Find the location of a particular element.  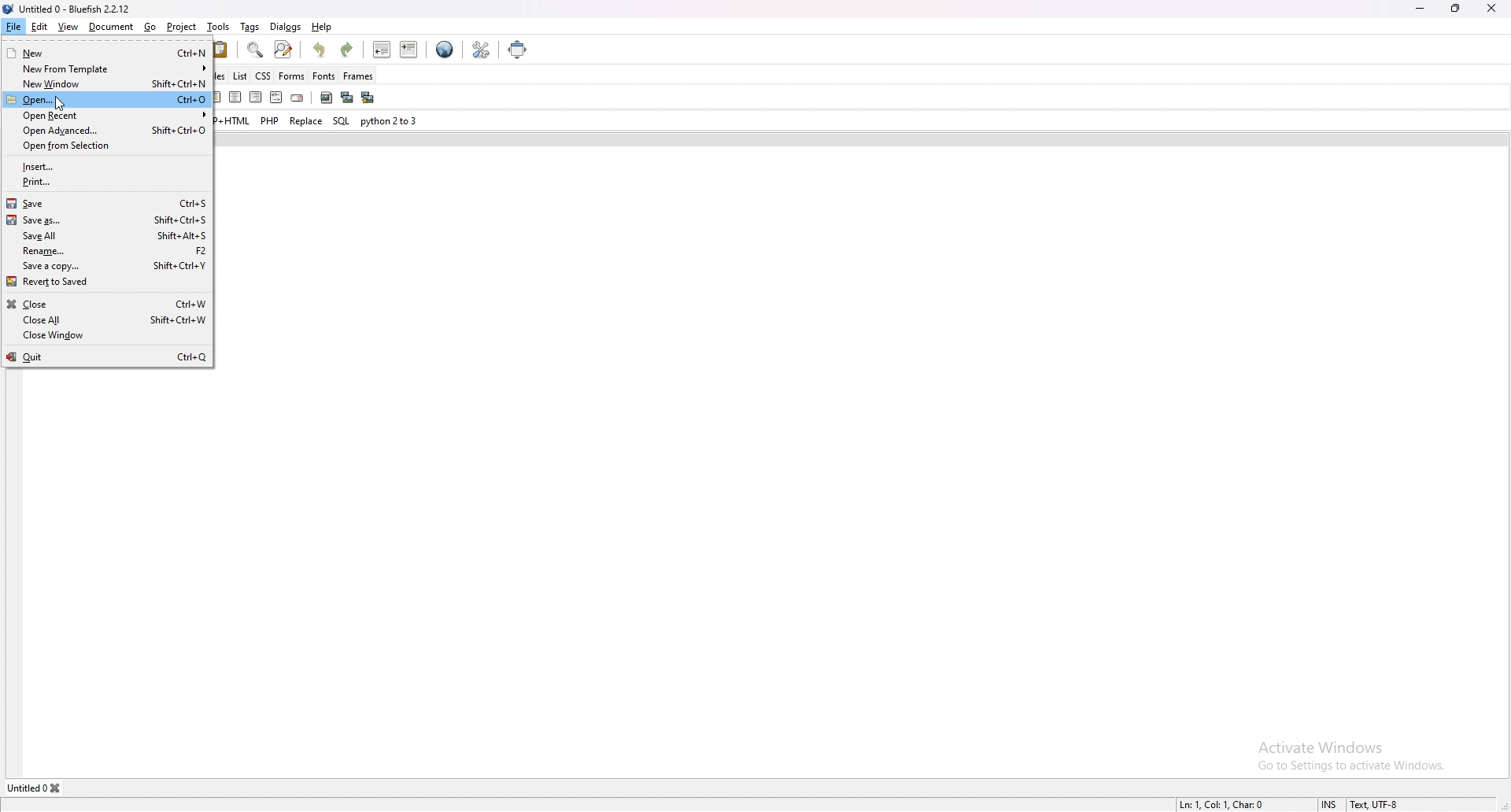

Activate Windows is located at coordinates (1324, 747).